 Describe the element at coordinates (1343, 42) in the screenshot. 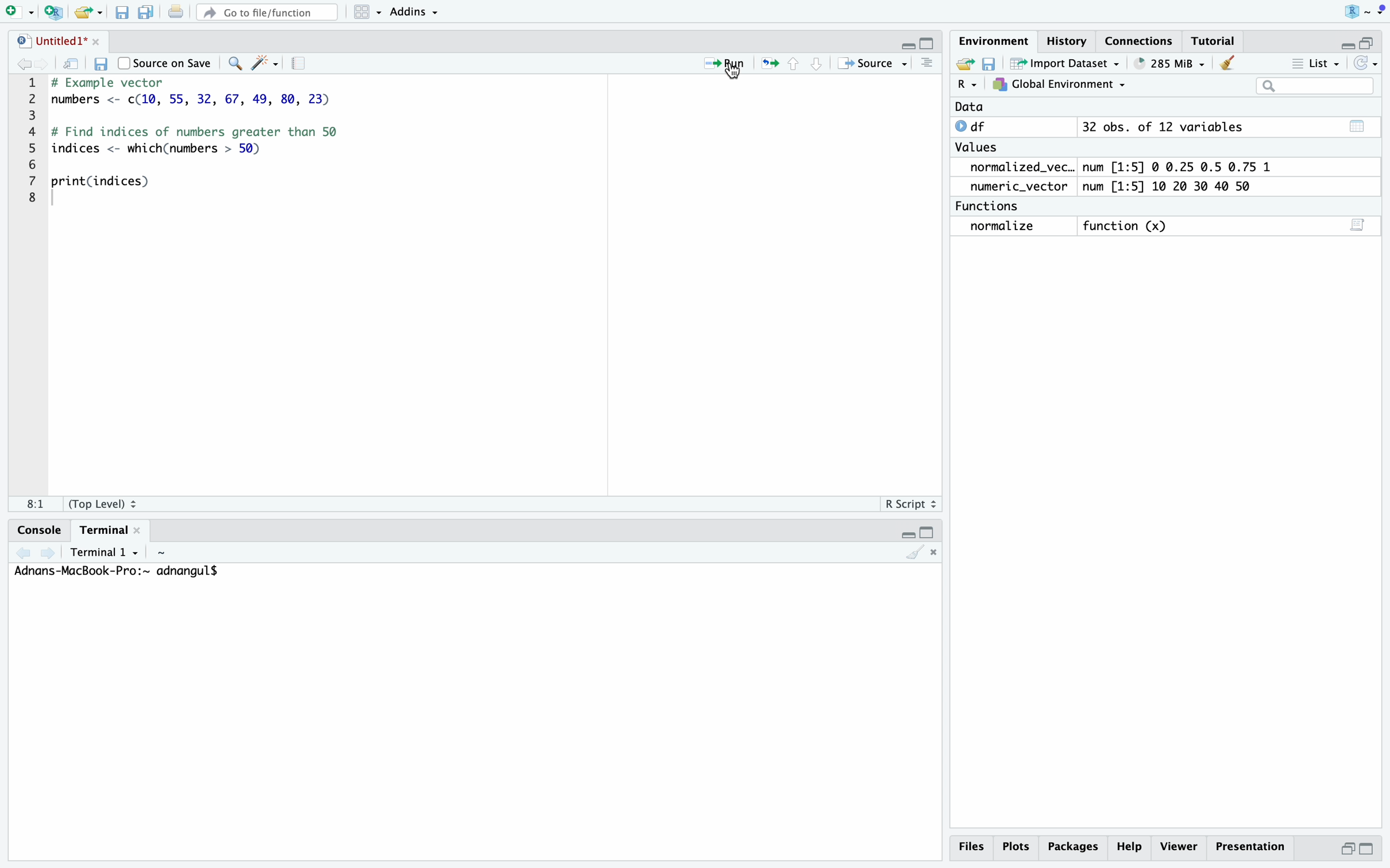

I see `MINIMISE` at that location.